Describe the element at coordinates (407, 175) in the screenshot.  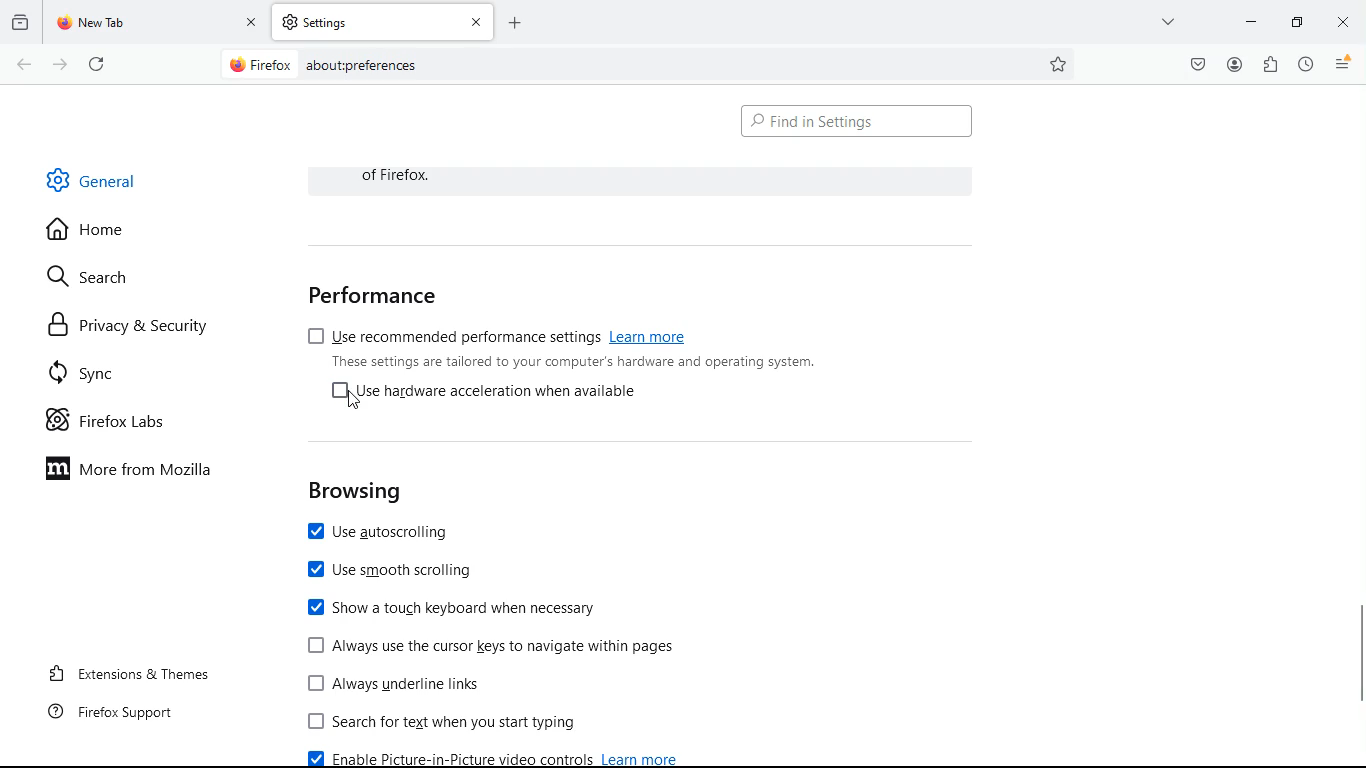
I see `of Firefox.` at that location.